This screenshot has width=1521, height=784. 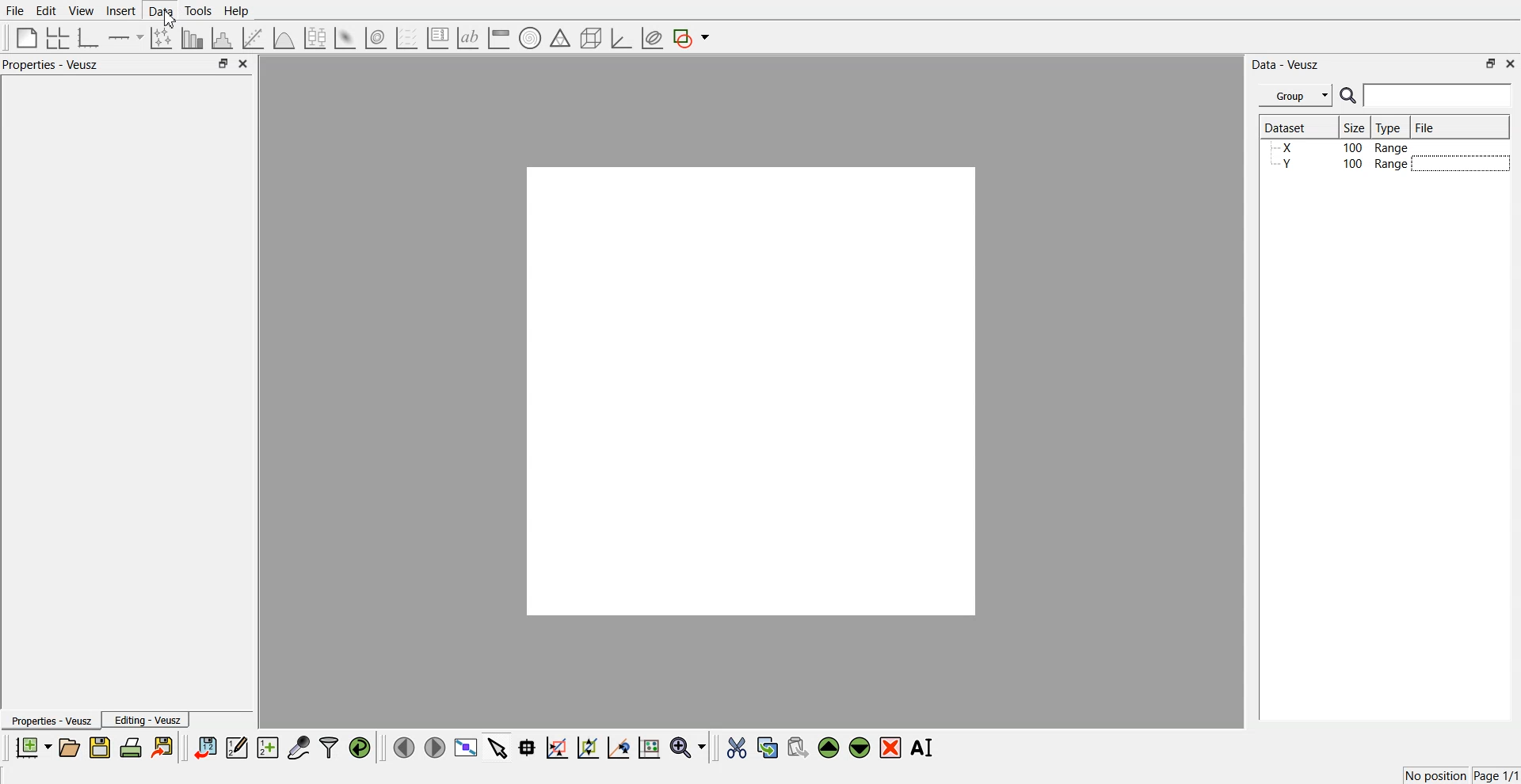 What do you see at coordinates (1293, 127) in the screenshot?
I see `Dataset` at bounding box center [1293, 127].